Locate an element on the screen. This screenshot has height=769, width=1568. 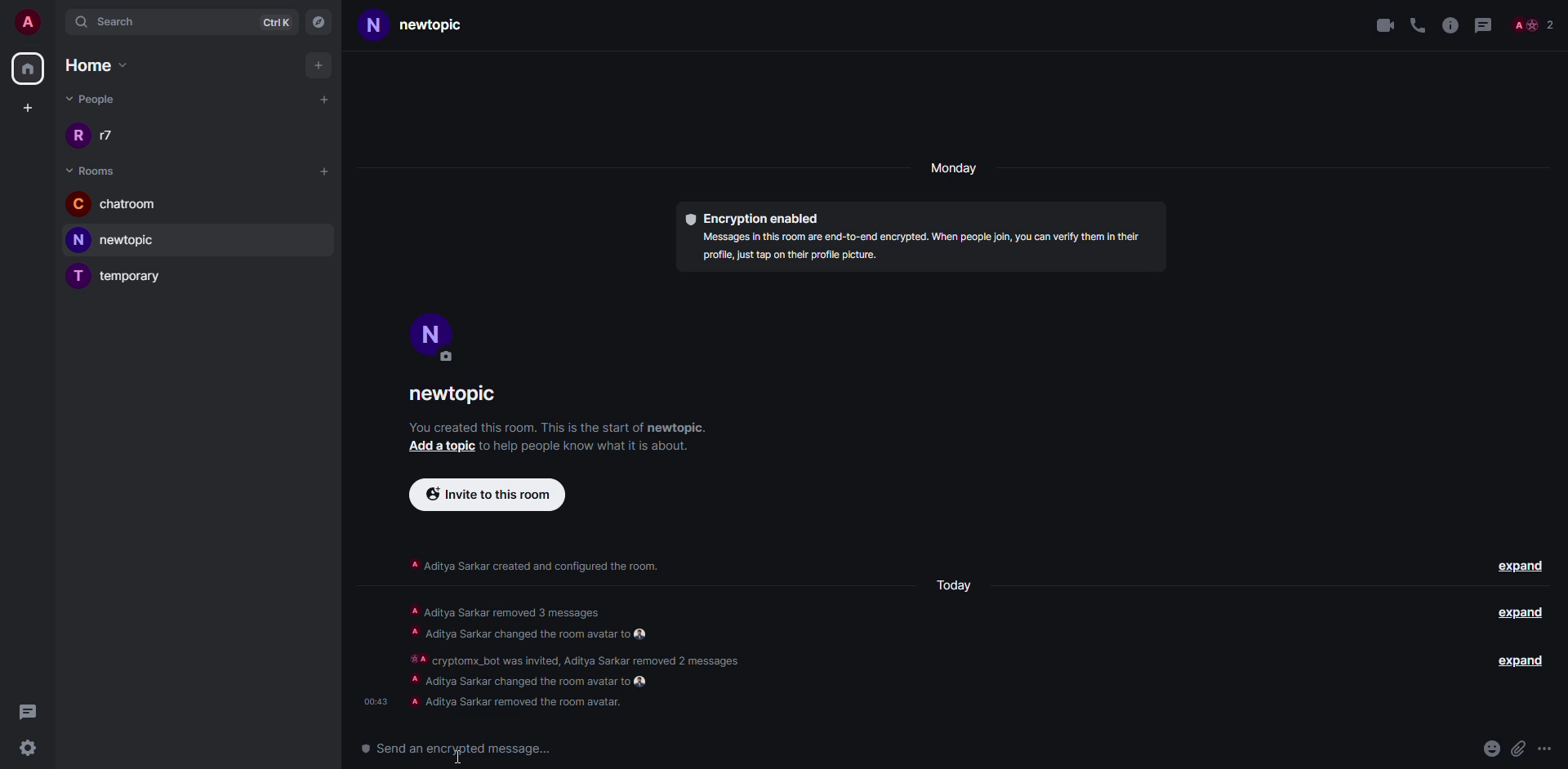
encryption enabled is located at coordinates (751, 214).